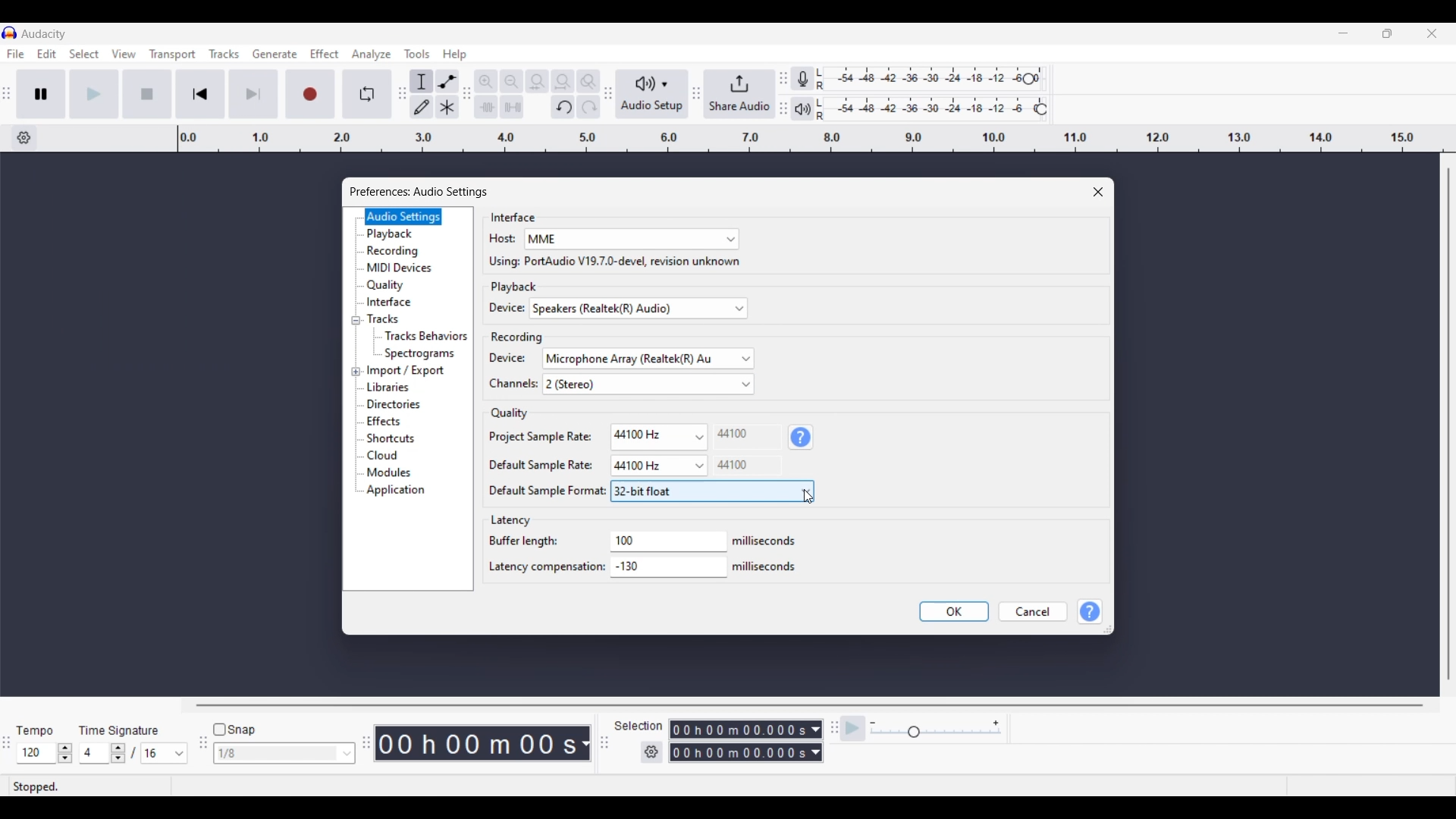 This screenshot has height=819, width=1456. Describe the element at coordinates (503, 413) in the screenshot. I see `| Quality` at that location.